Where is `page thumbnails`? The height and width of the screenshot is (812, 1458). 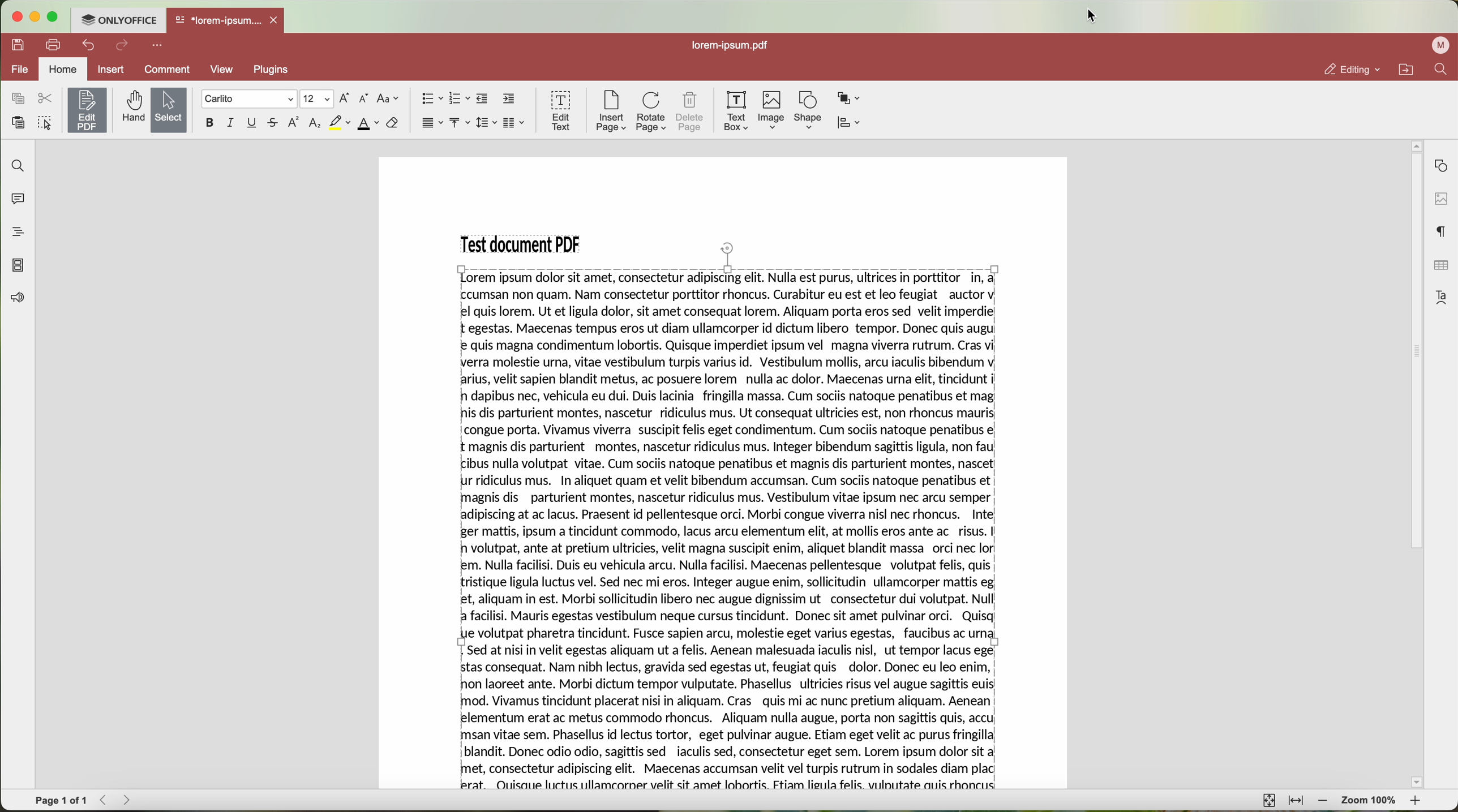
page thumbnails is located at coordinates (18, 265).